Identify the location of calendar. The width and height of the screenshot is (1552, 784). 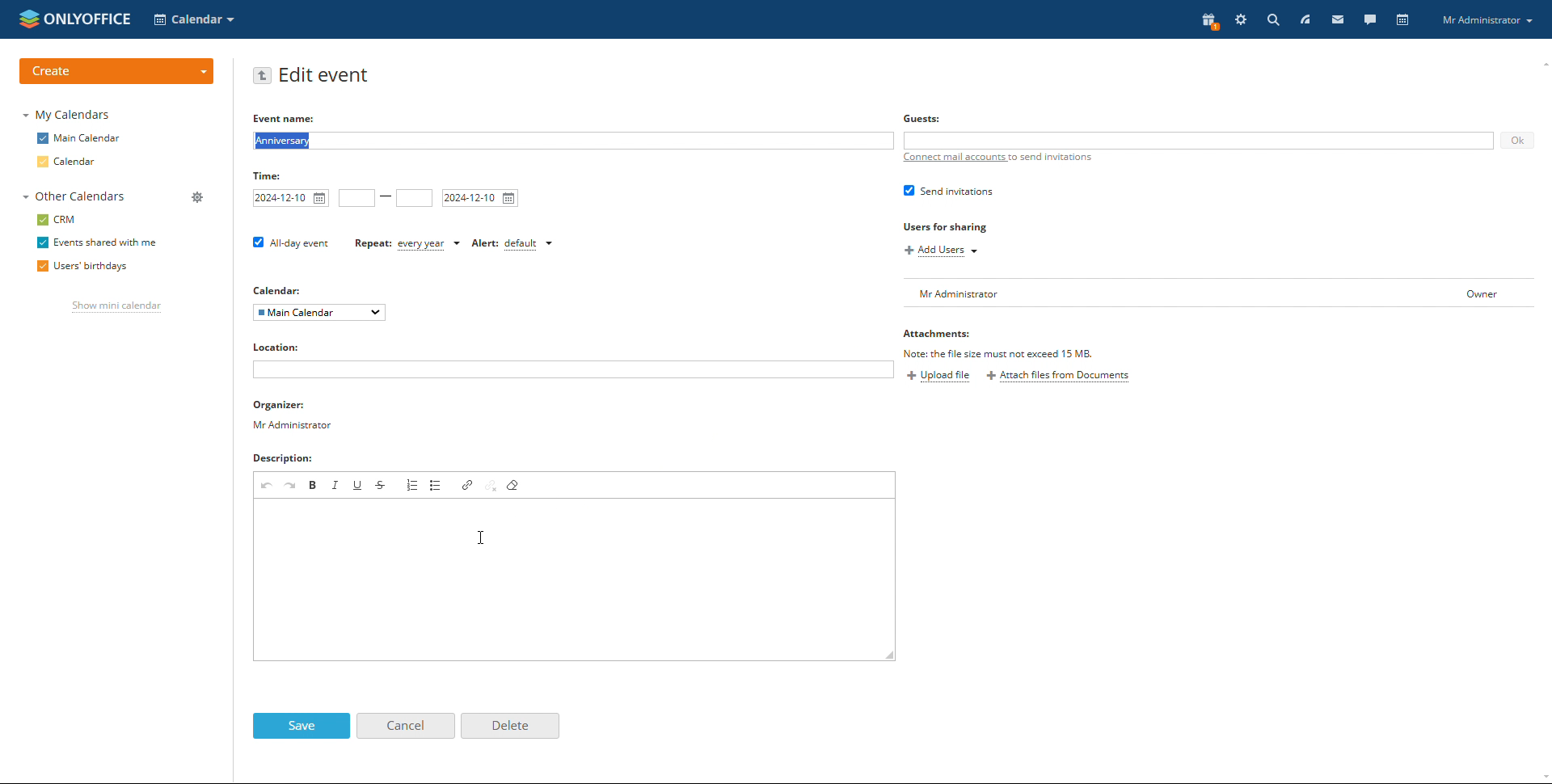
(70, 162).